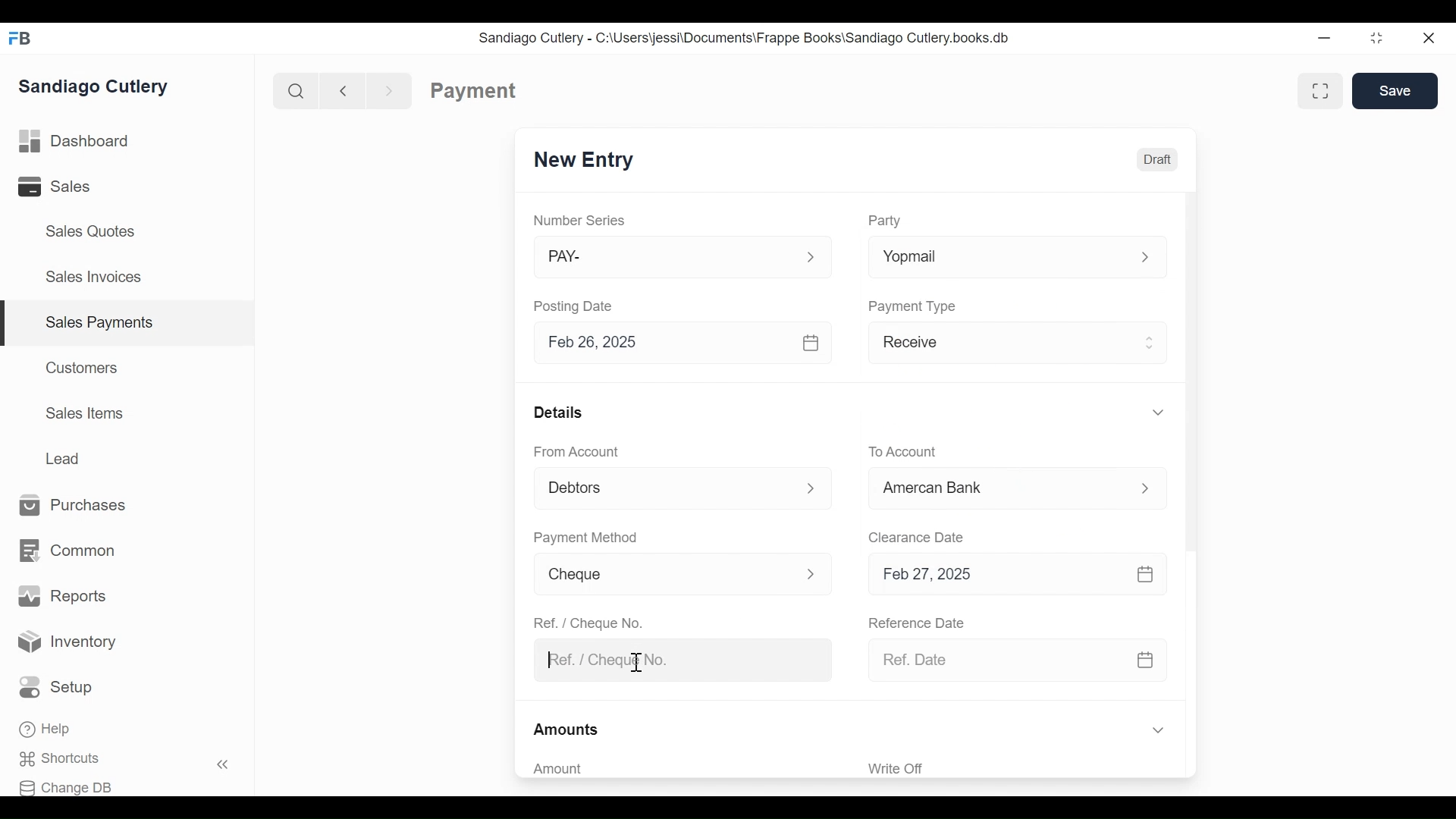 Image resolution: width=1456 pixels, height=819 pixels. What do you see at coordinates (666, 259) in the screenshot?
I see `PAY-` at bounding box center [666, 259].